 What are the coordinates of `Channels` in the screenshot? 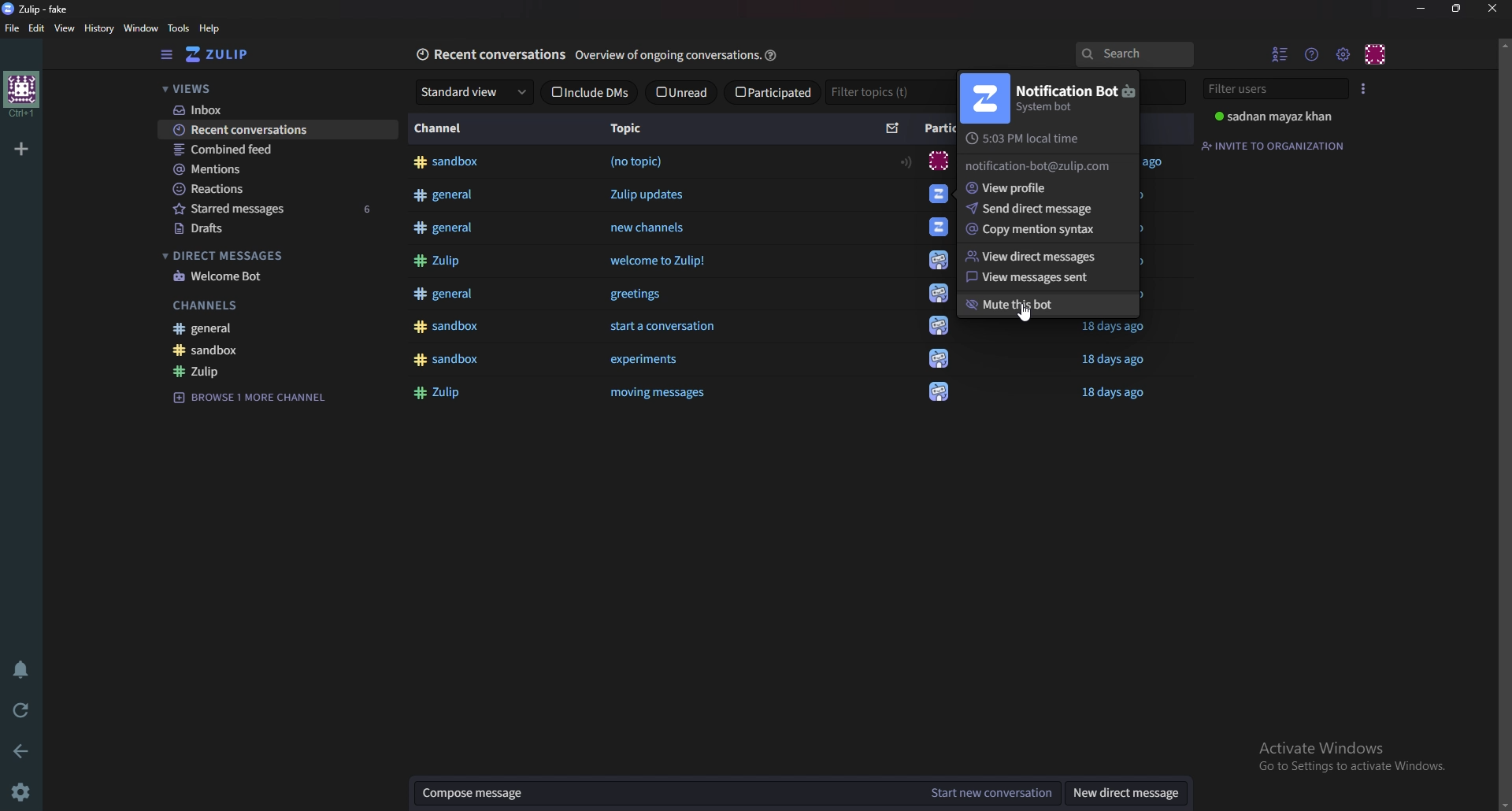 It's located at (254, 305).